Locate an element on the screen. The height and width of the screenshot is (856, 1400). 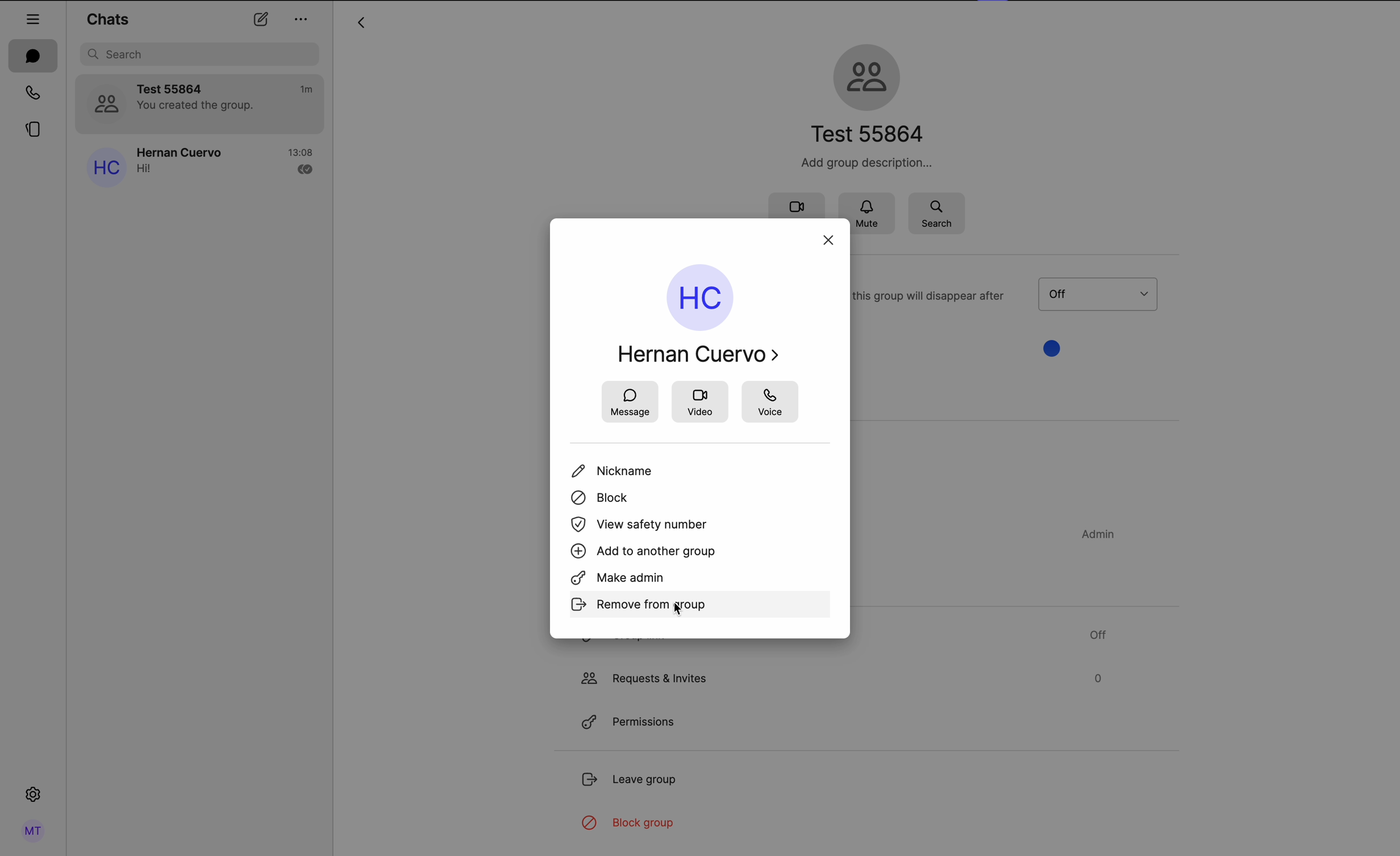
settings is located at coordinates (33, 797).